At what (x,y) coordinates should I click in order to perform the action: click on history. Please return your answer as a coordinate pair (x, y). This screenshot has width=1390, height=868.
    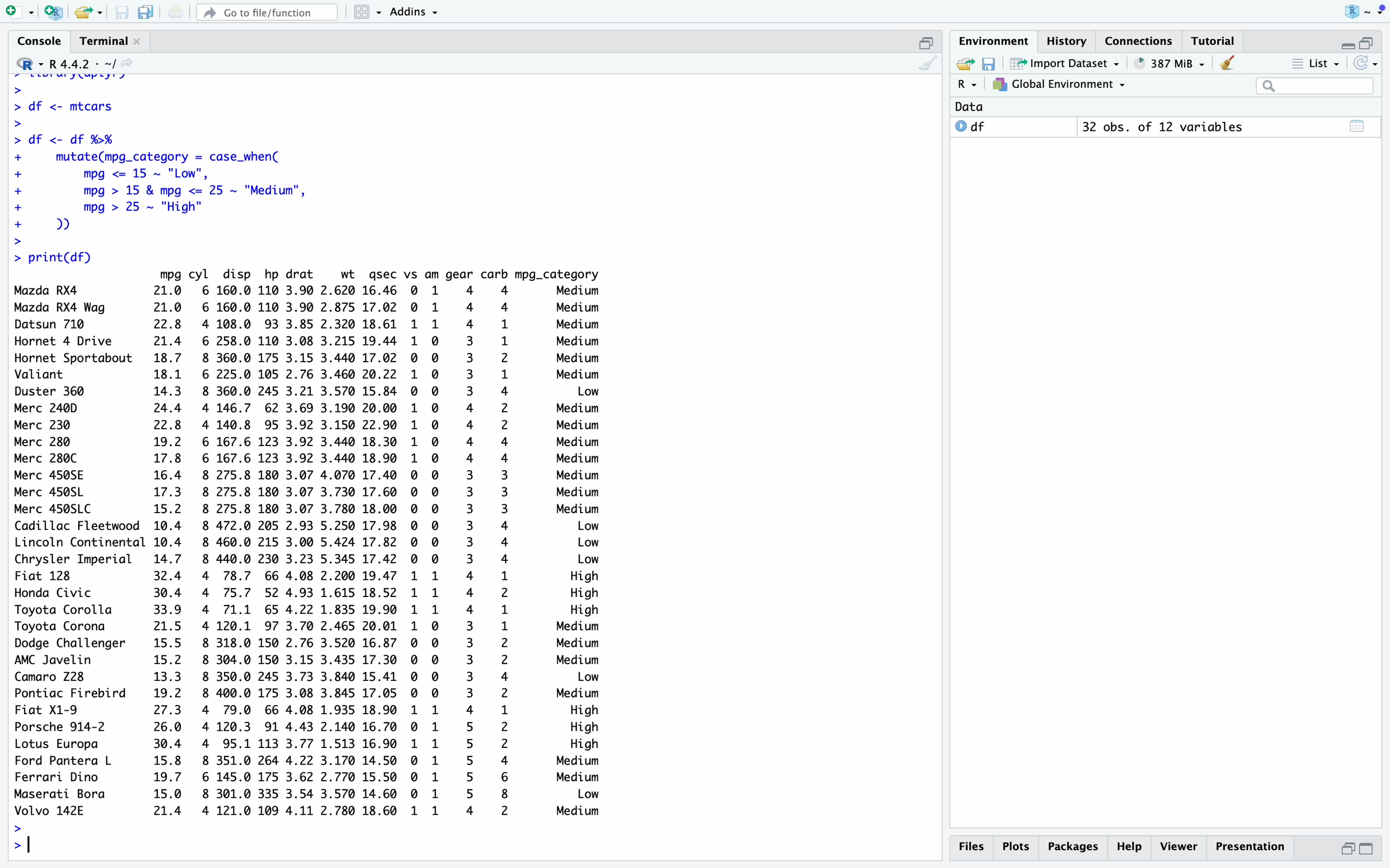
    Looking at the image, I should click on (1068, 41).